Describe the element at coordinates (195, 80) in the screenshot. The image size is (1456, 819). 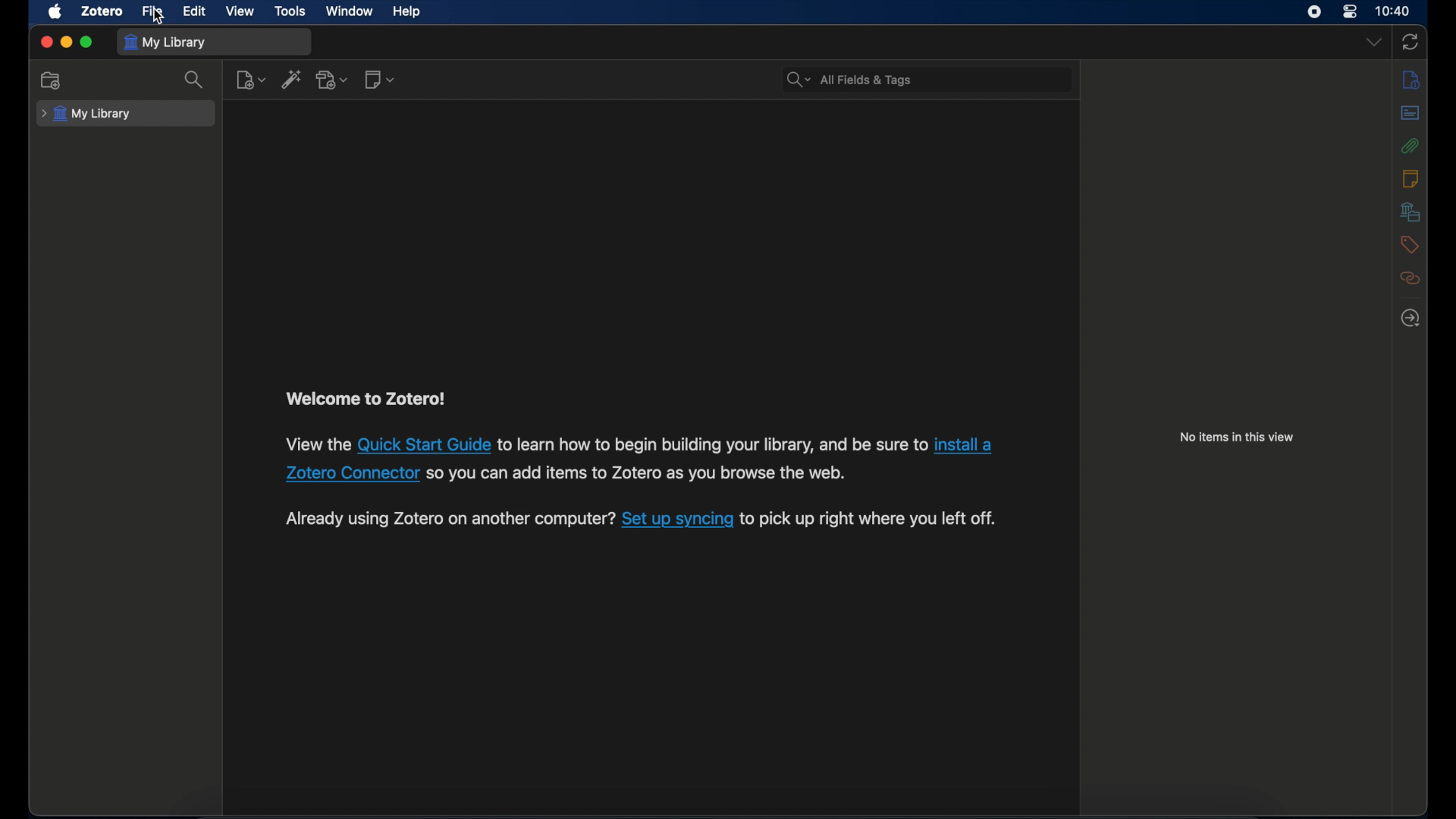
I see `search` at that location.